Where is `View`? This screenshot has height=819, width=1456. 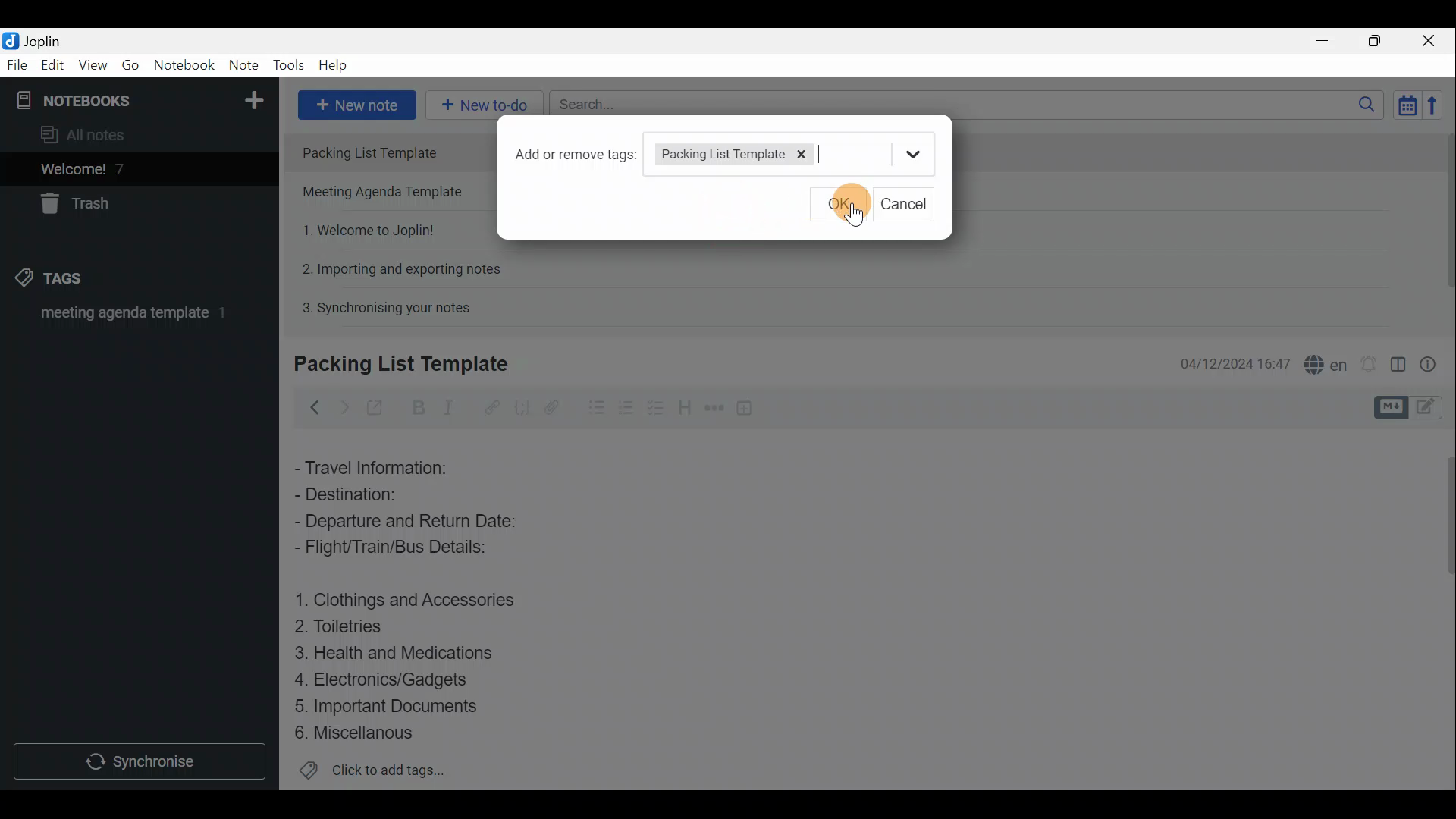
View is located at coordinates (94, 65).